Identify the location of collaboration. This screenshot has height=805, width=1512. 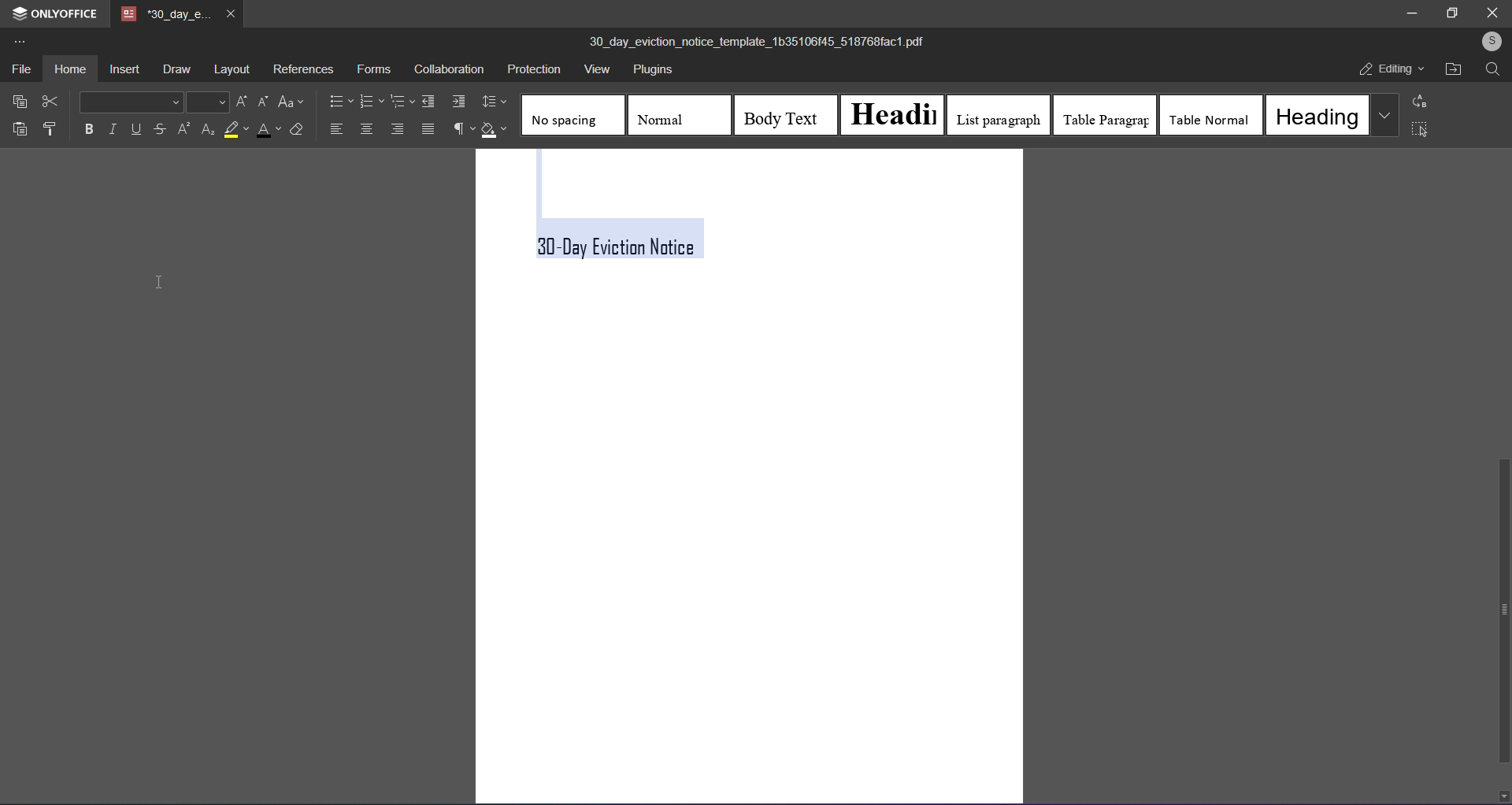
(447, 69).